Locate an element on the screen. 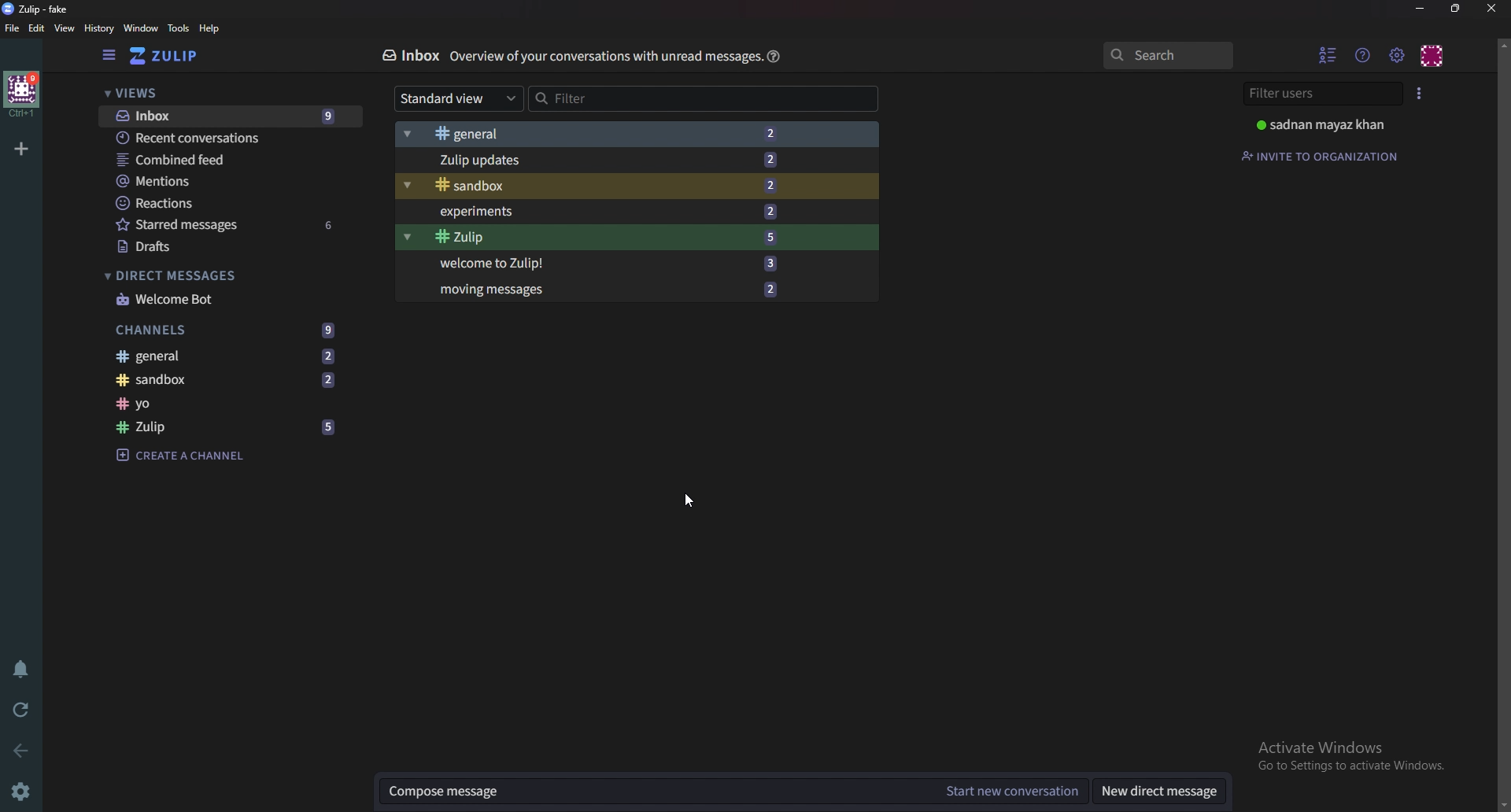 The height and width of the screenshot is (812, 1511). Welcome bot is located at coordinates (207, 299).